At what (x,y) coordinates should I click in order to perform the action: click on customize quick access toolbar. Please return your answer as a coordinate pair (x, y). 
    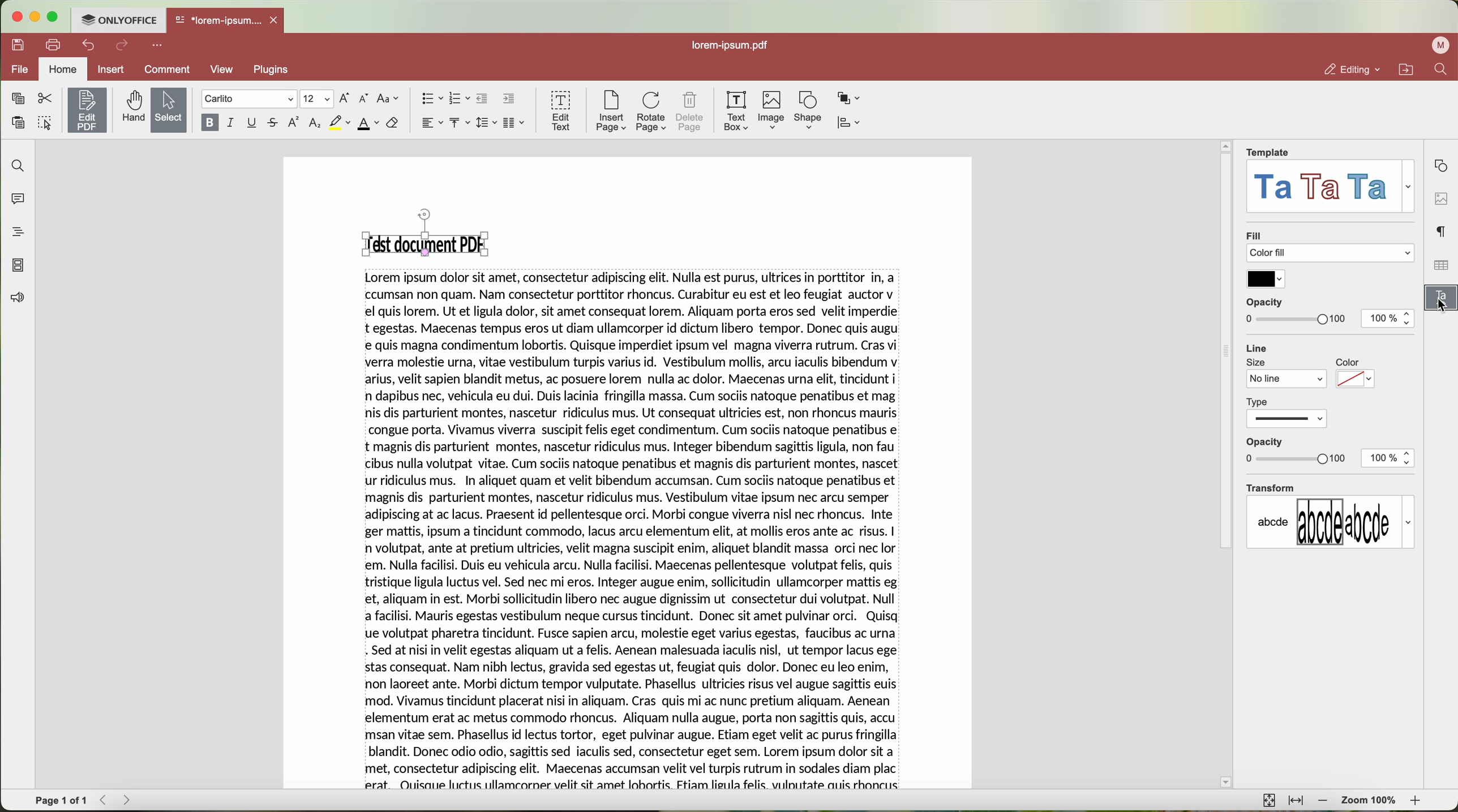
    Looking at the image, I should click on (158, 46).